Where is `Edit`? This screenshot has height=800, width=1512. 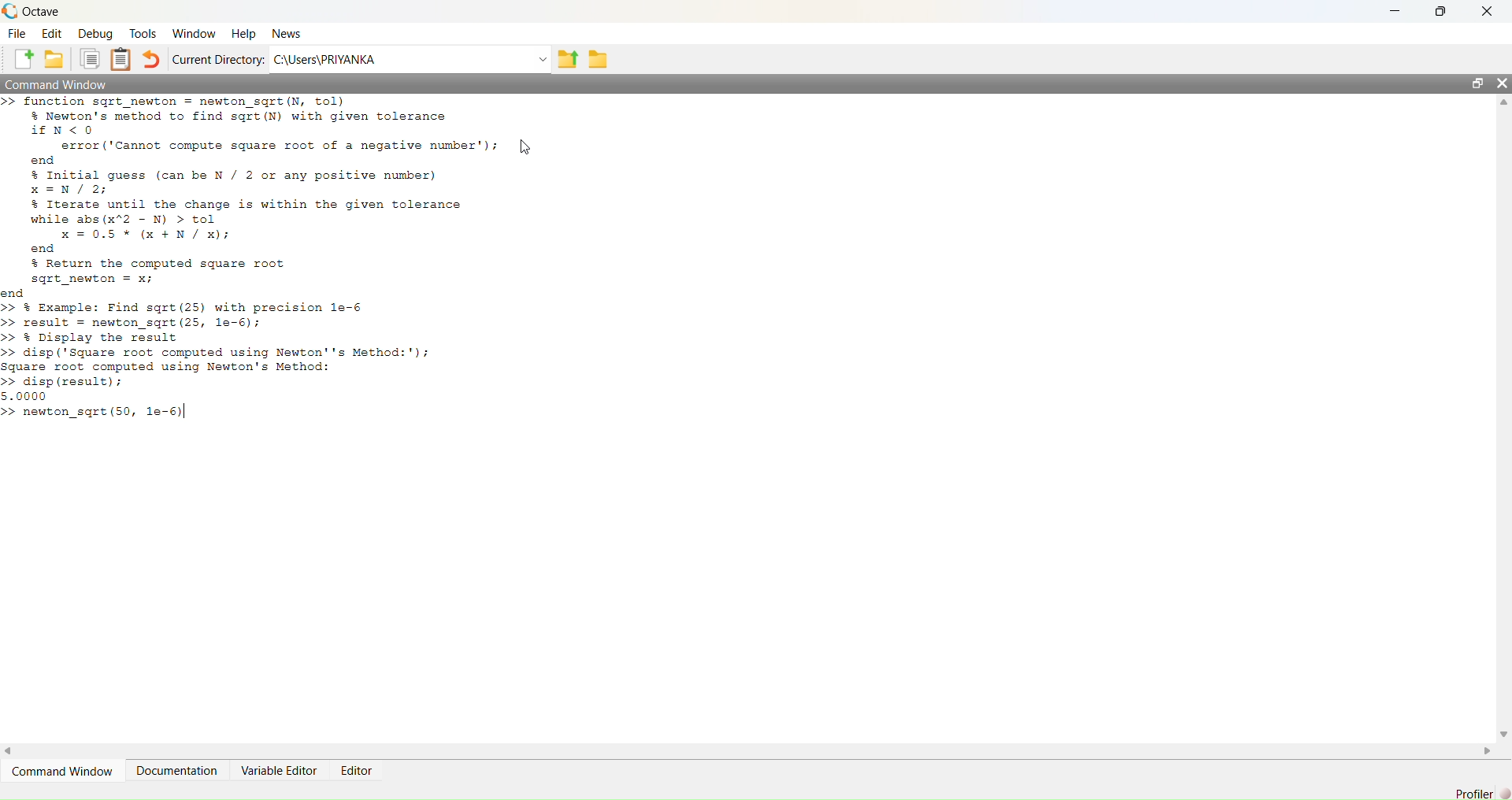
Edit is located at coordinates (52, 34).